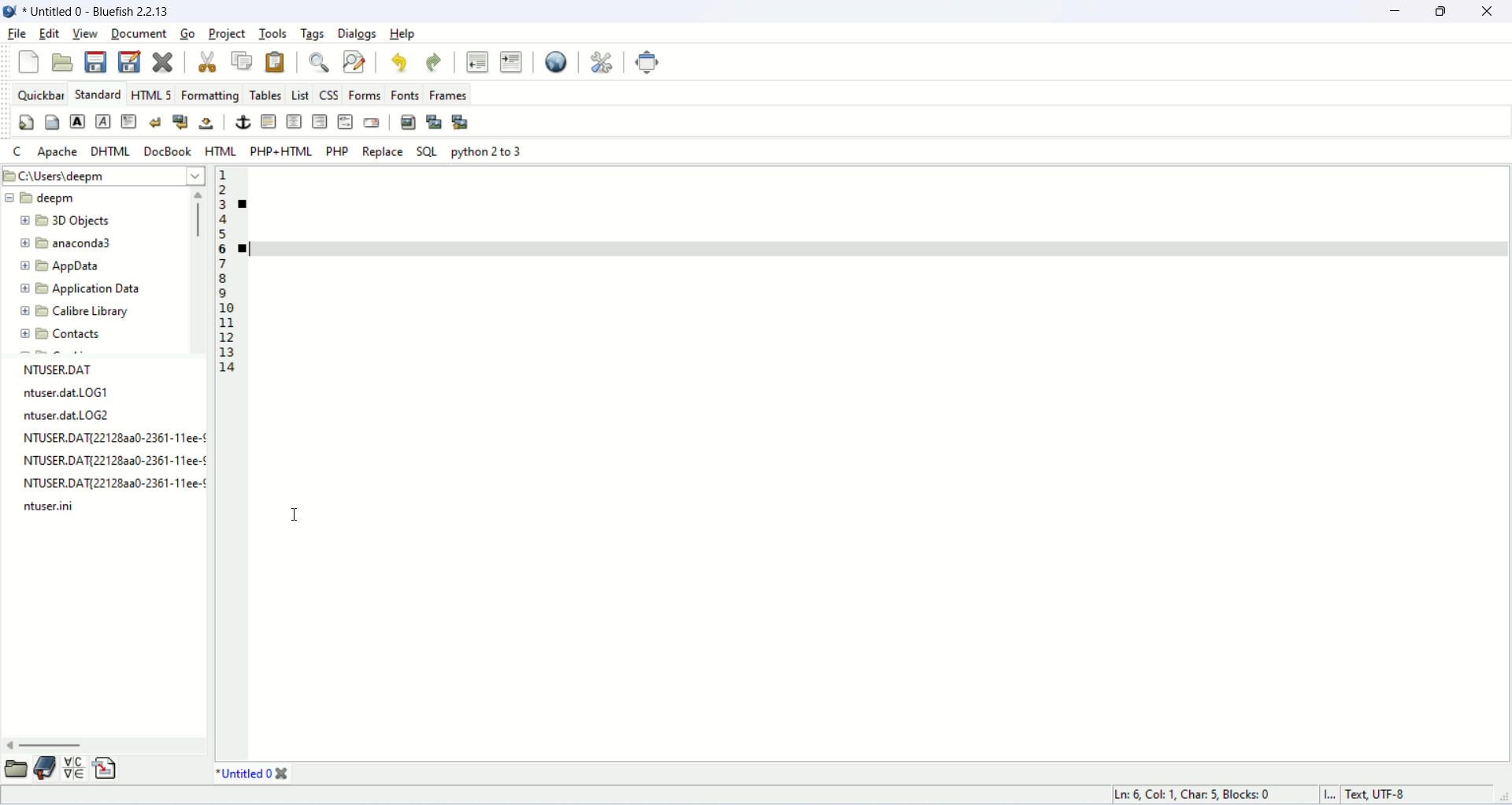 The width and height of the screenshot is (1512, 805). What do you see at coordinates (57, 198) in the screenshot?
I see `folder name` at bounding box center [57, 198].